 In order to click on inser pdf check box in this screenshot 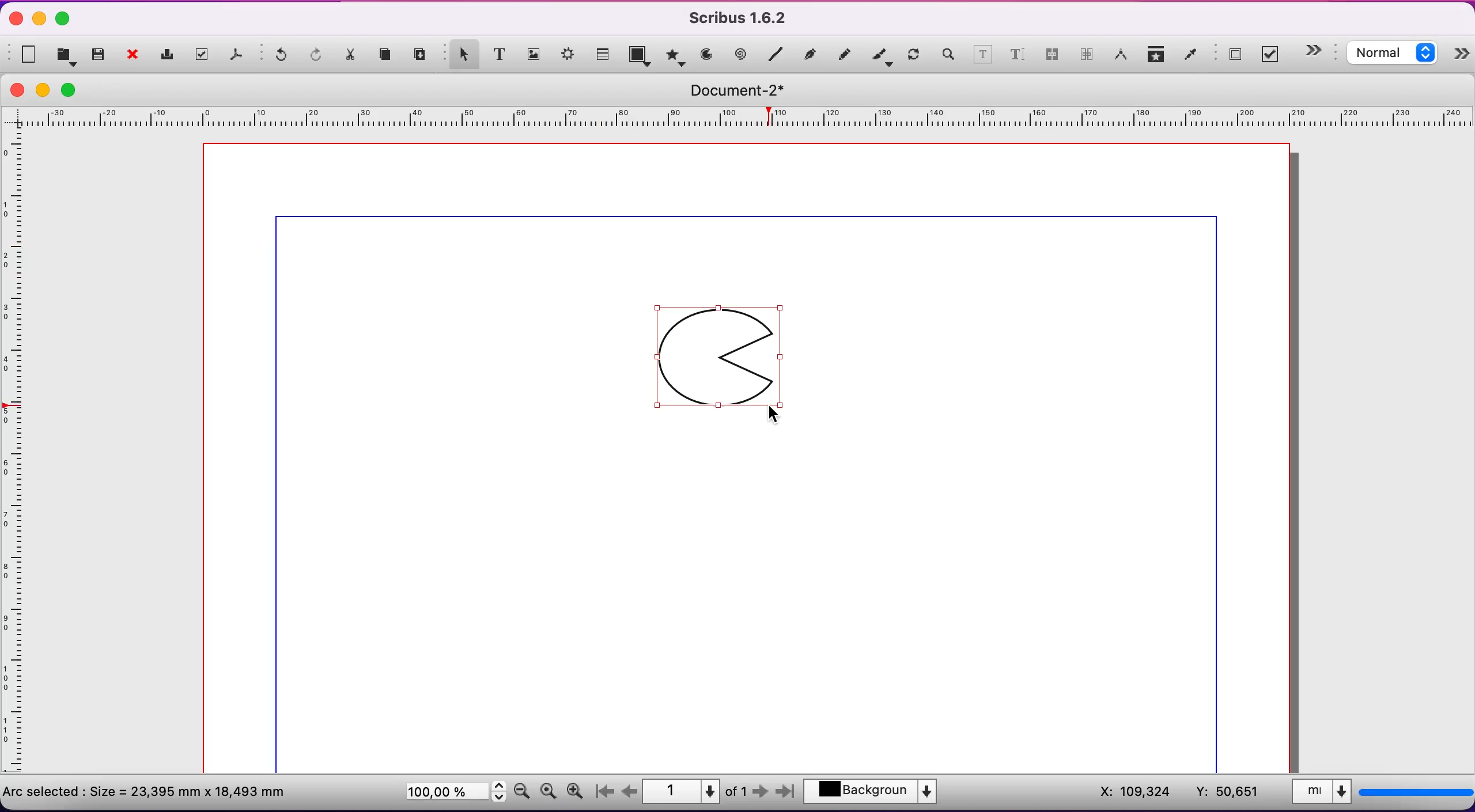, I will do `click(1273, 55)`.